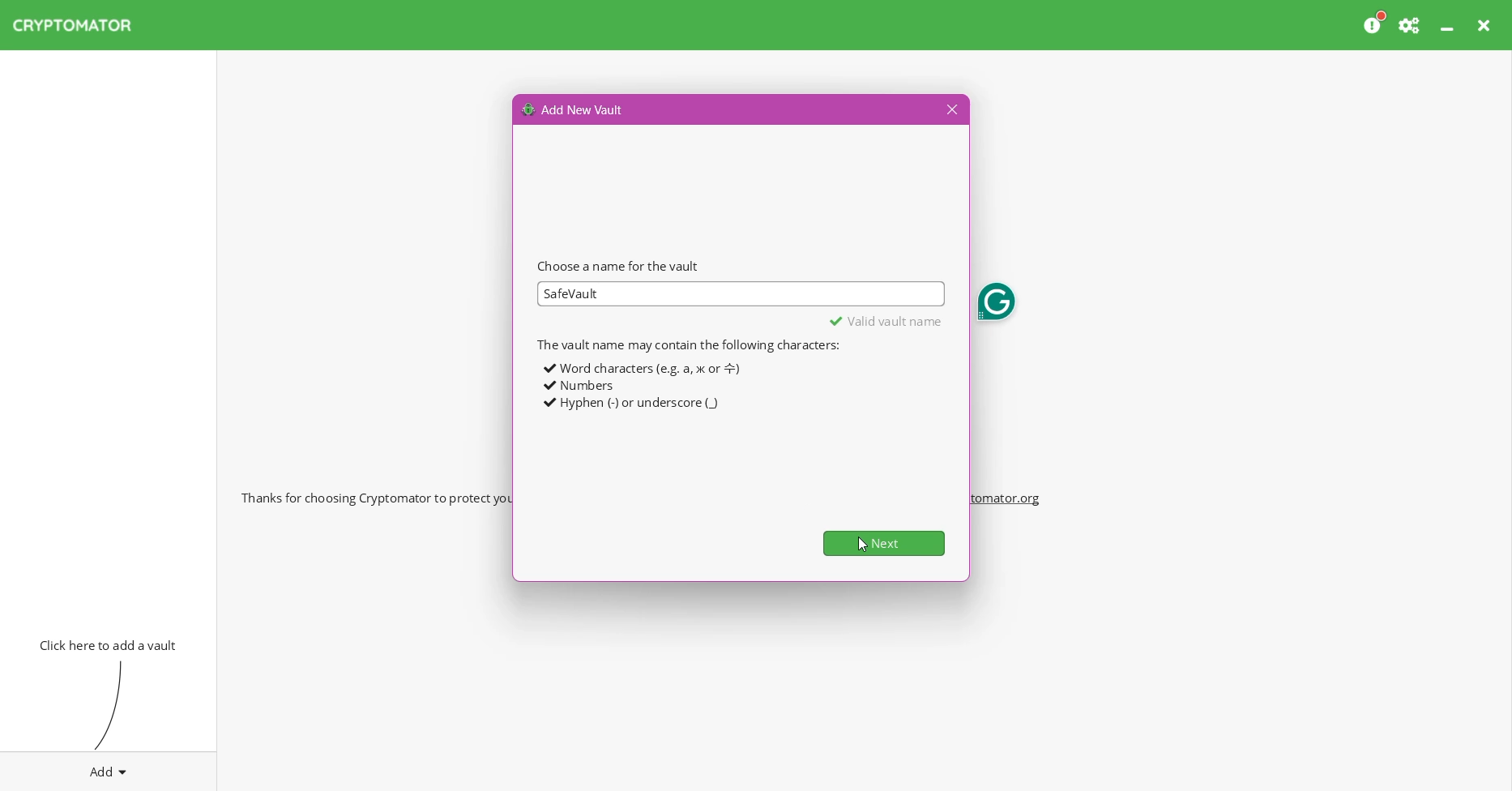 The width and height of the screenshot is (1512, 791). I want to click on Word characters (e.g. a, x or y), so click(640, 368).